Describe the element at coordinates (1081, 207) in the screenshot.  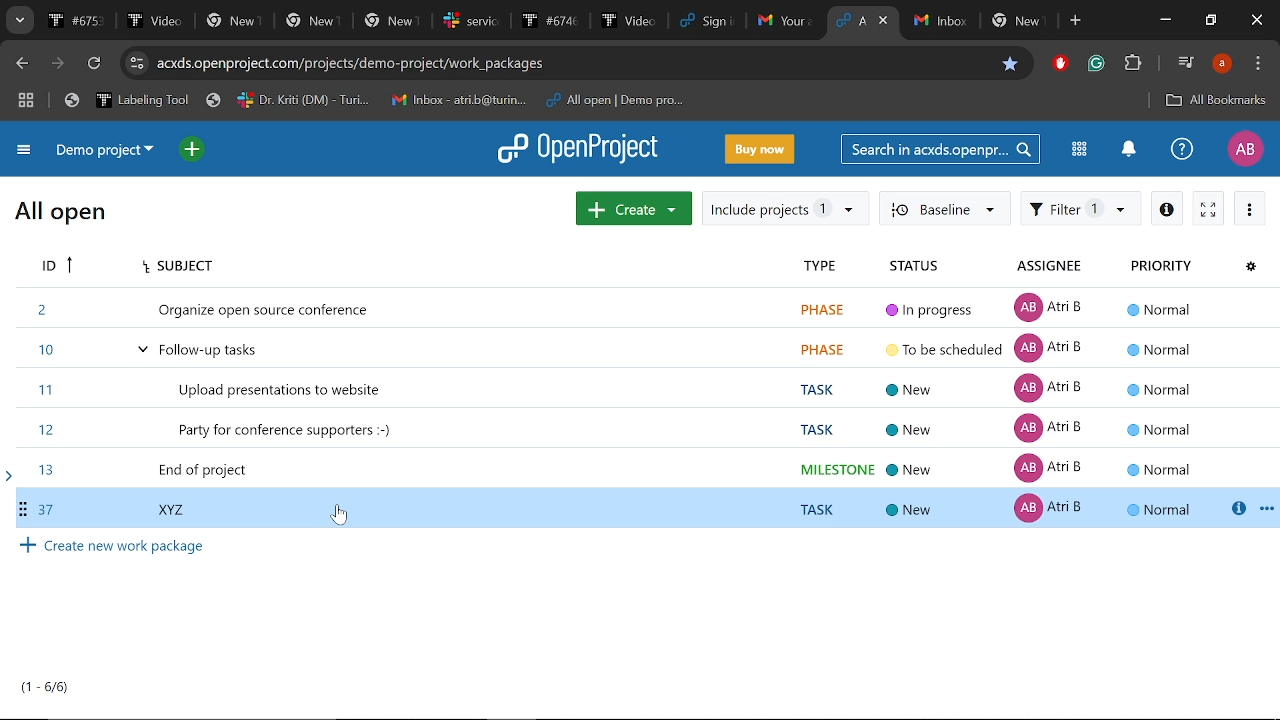
I see `Filter` at that location.